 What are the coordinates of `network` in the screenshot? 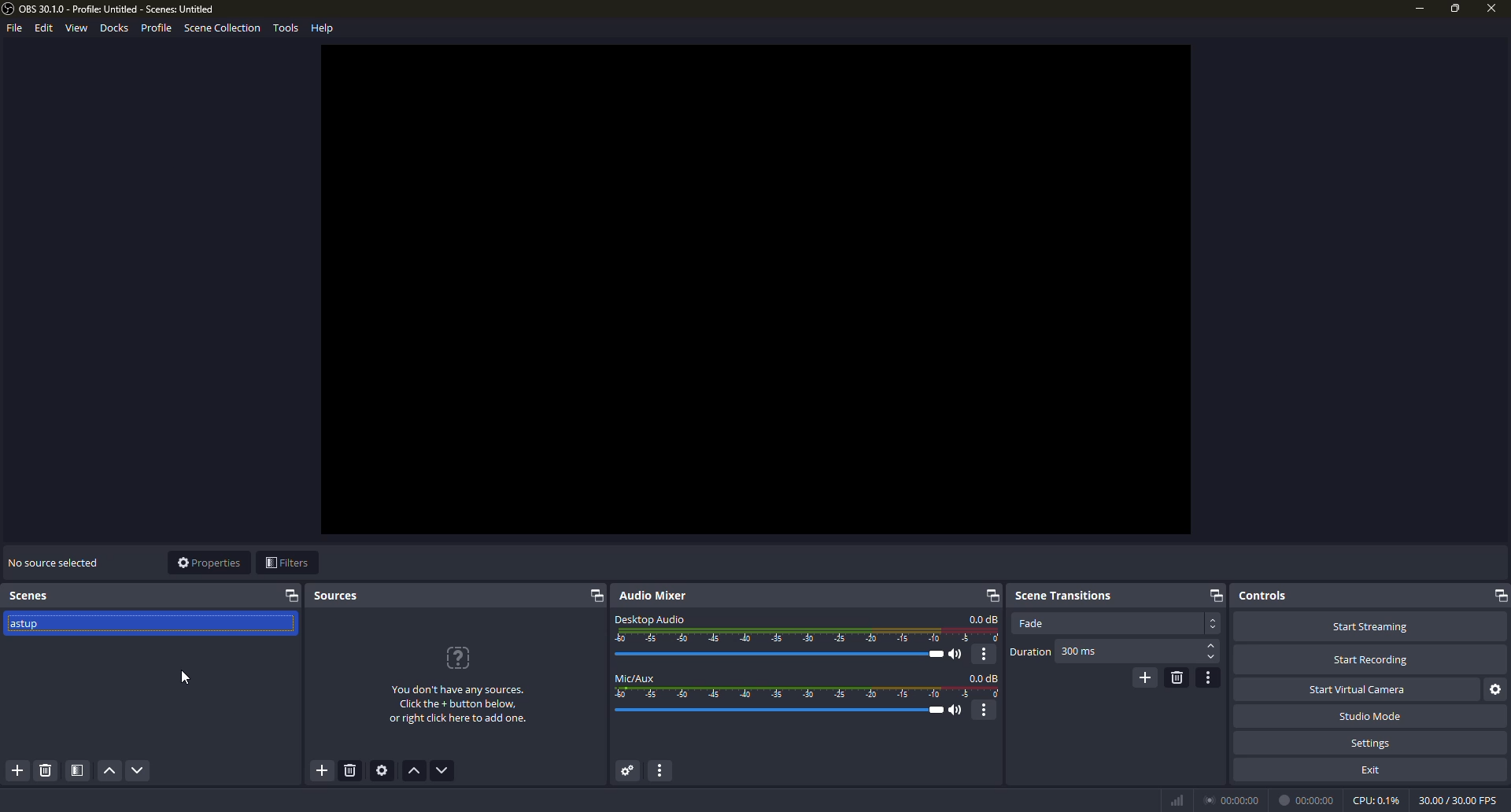 It's located at (1176, 799).